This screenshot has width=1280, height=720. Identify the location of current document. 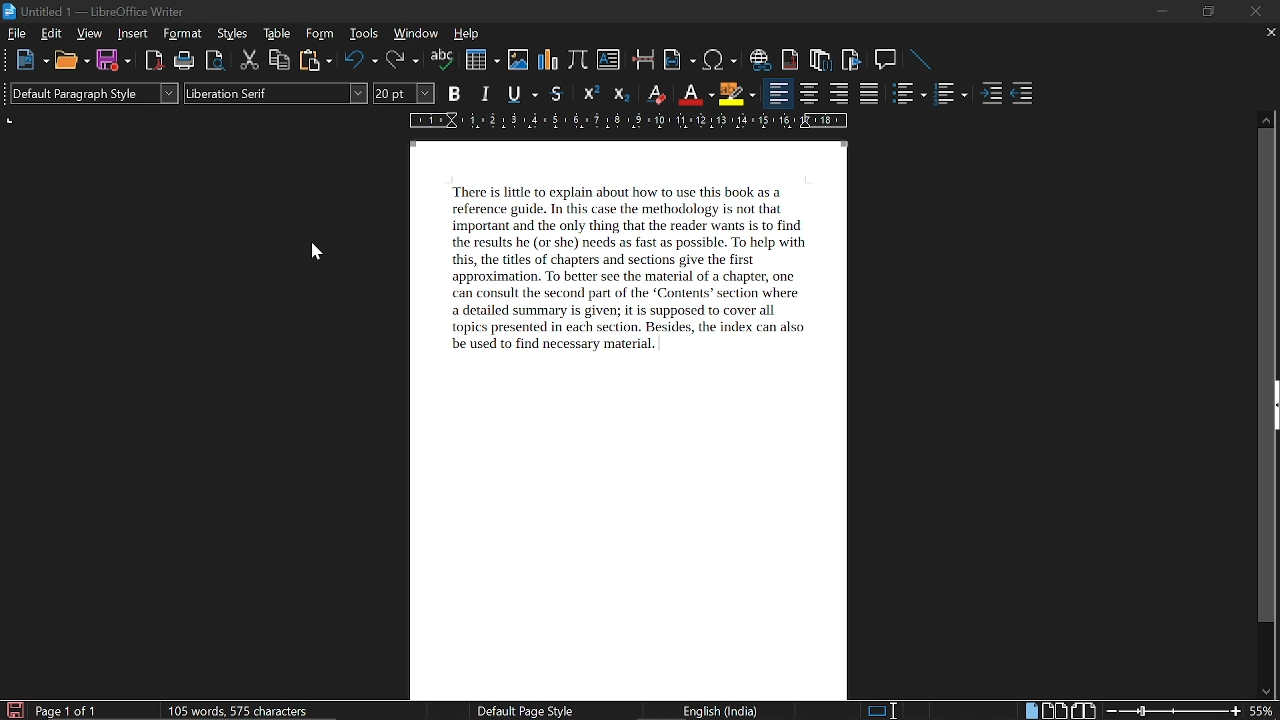
(631, 419).